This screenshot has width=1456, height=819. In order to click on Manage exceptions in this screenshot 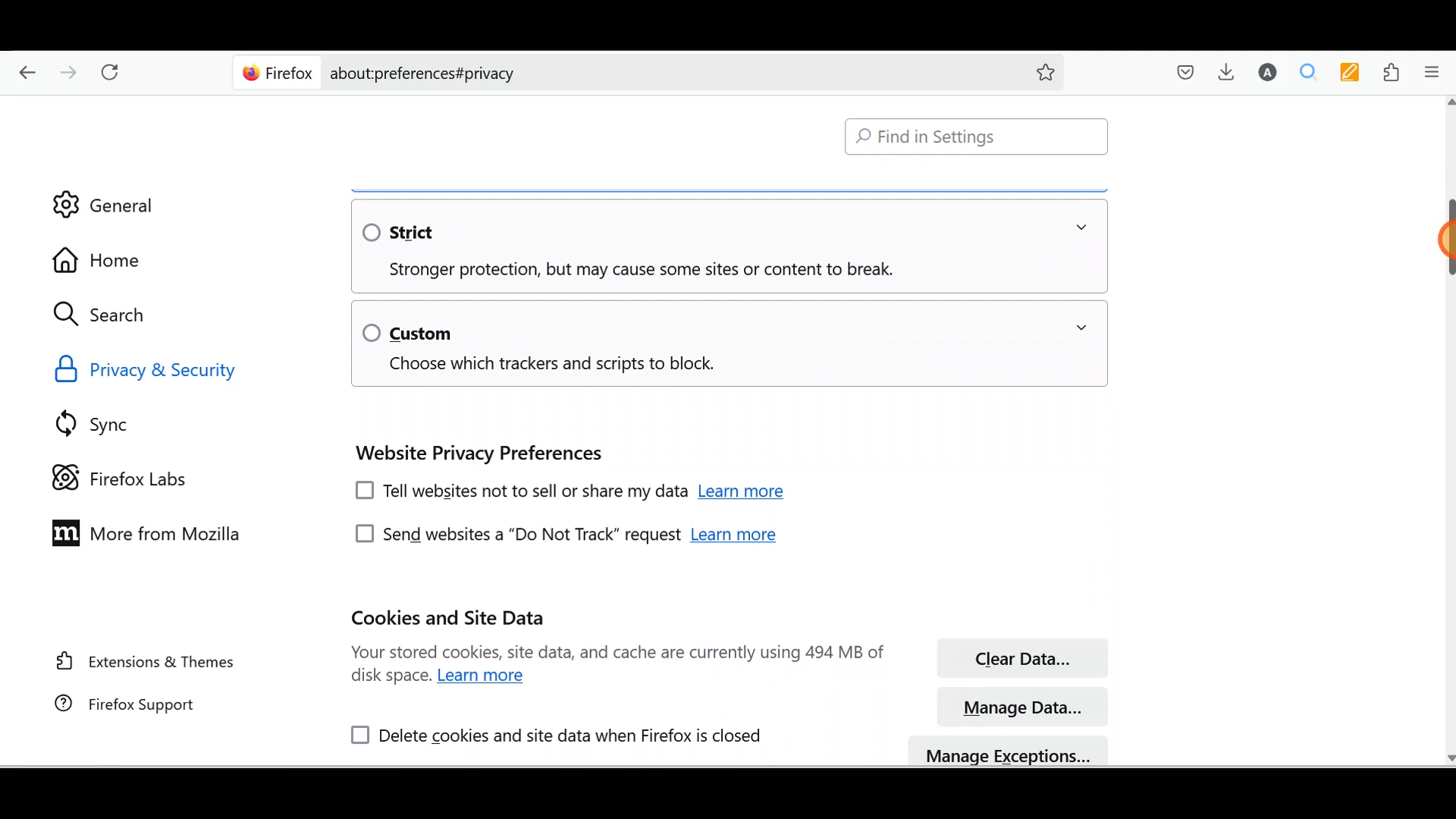, I will do `click(1007, 752)`.